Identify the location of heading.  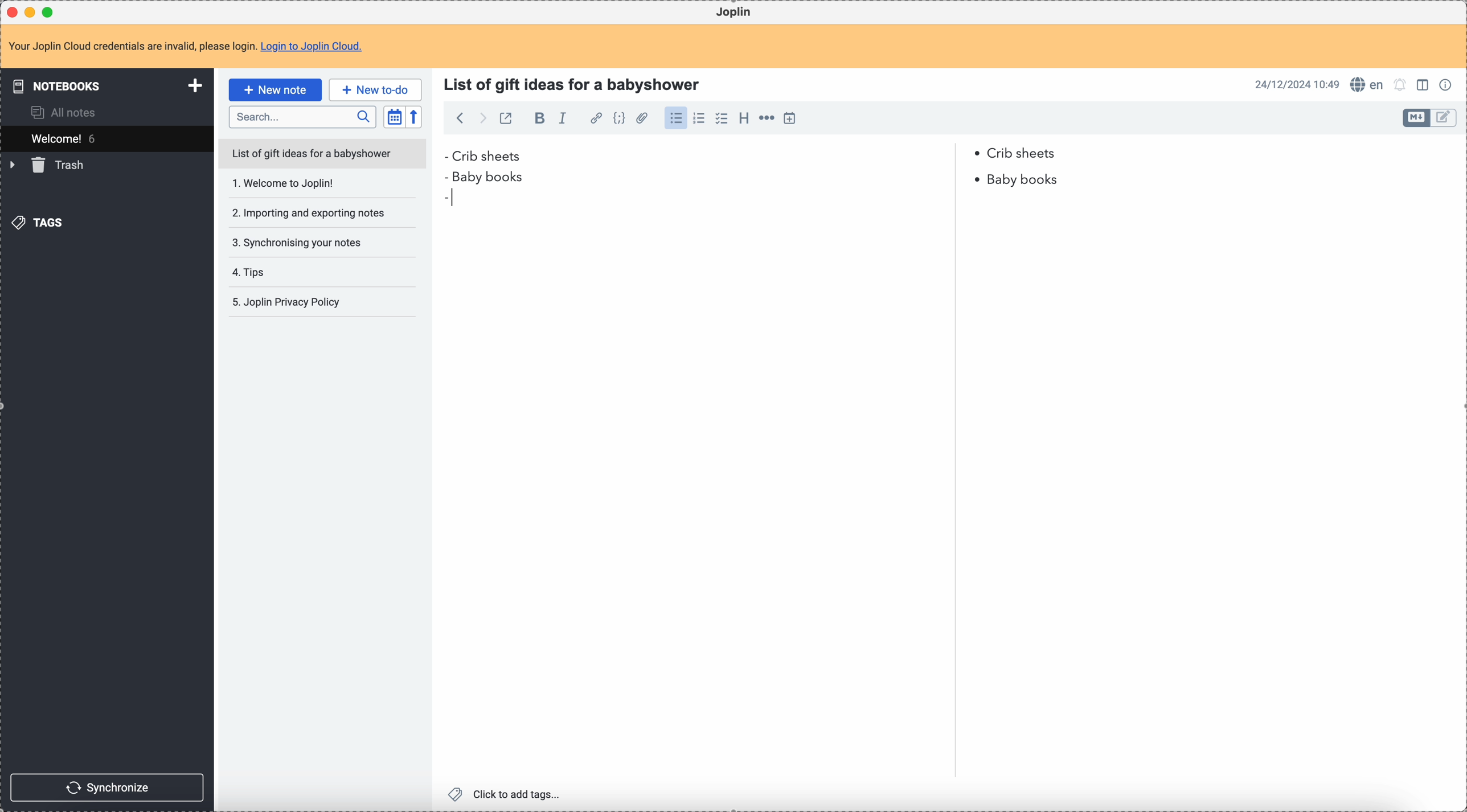
(744, 121).